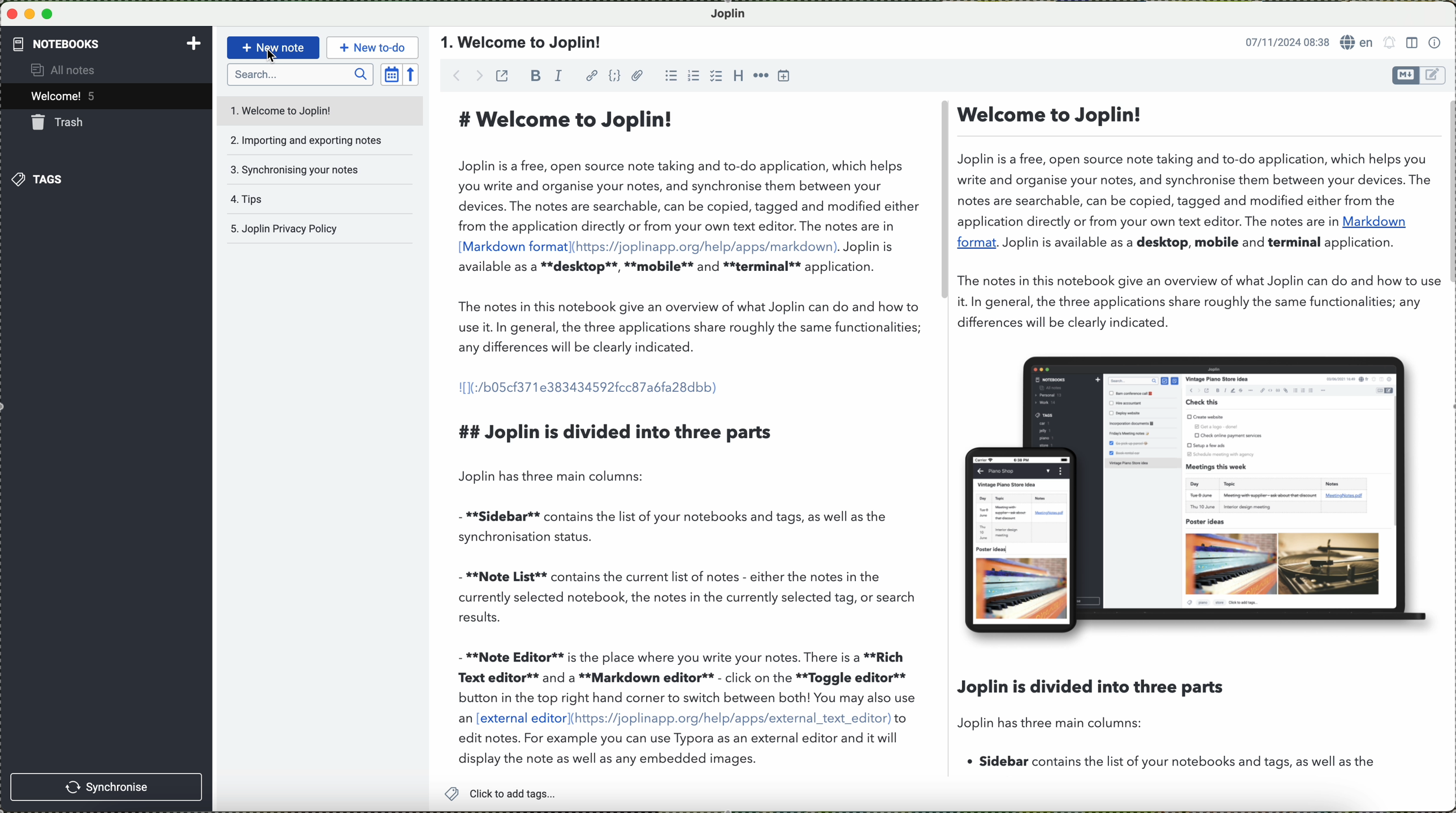 This screenshot has width=1456, height=813. I want to click on date and hour, so click(1283, 41).